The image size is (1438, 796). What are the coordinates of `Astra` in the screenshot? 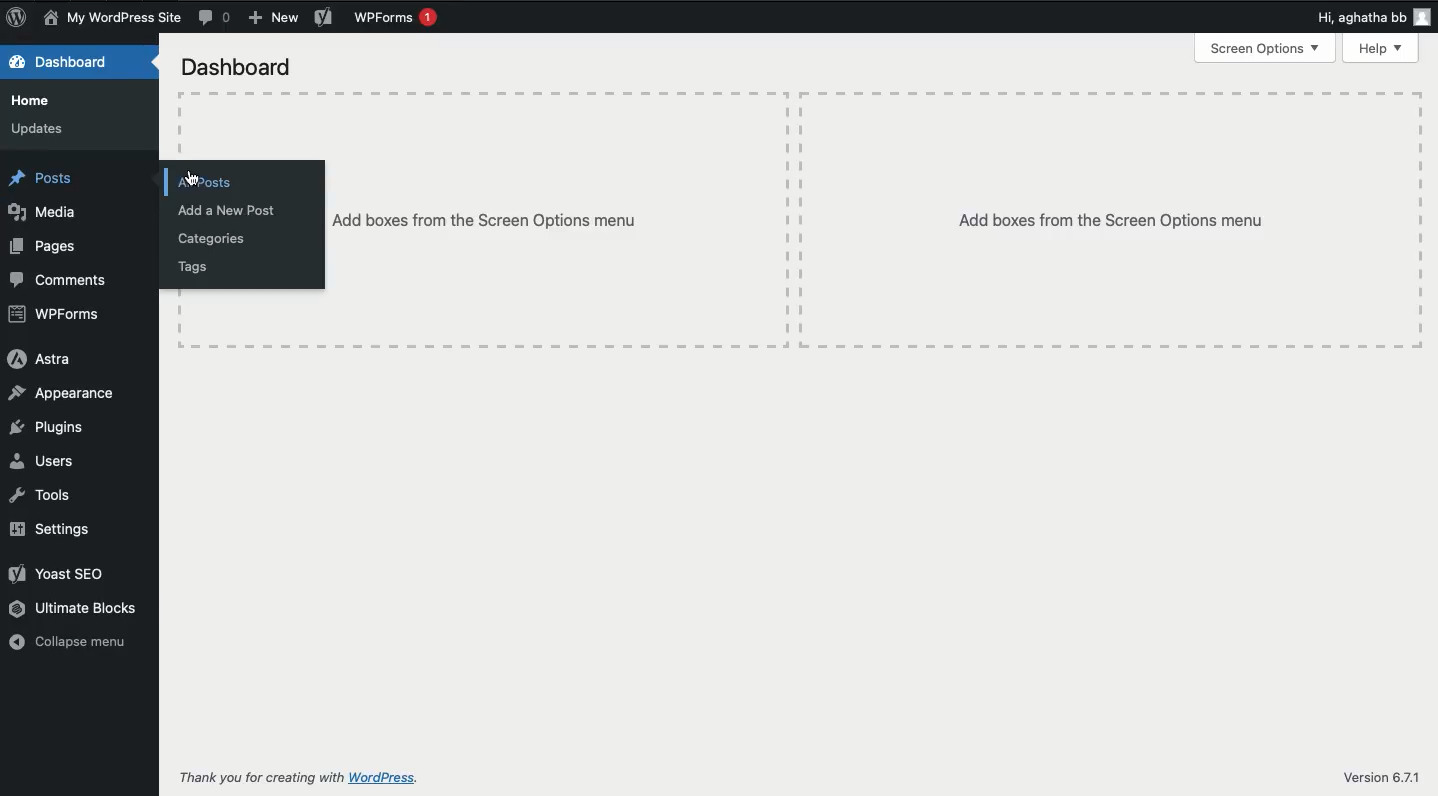 It's located at (44, 361).